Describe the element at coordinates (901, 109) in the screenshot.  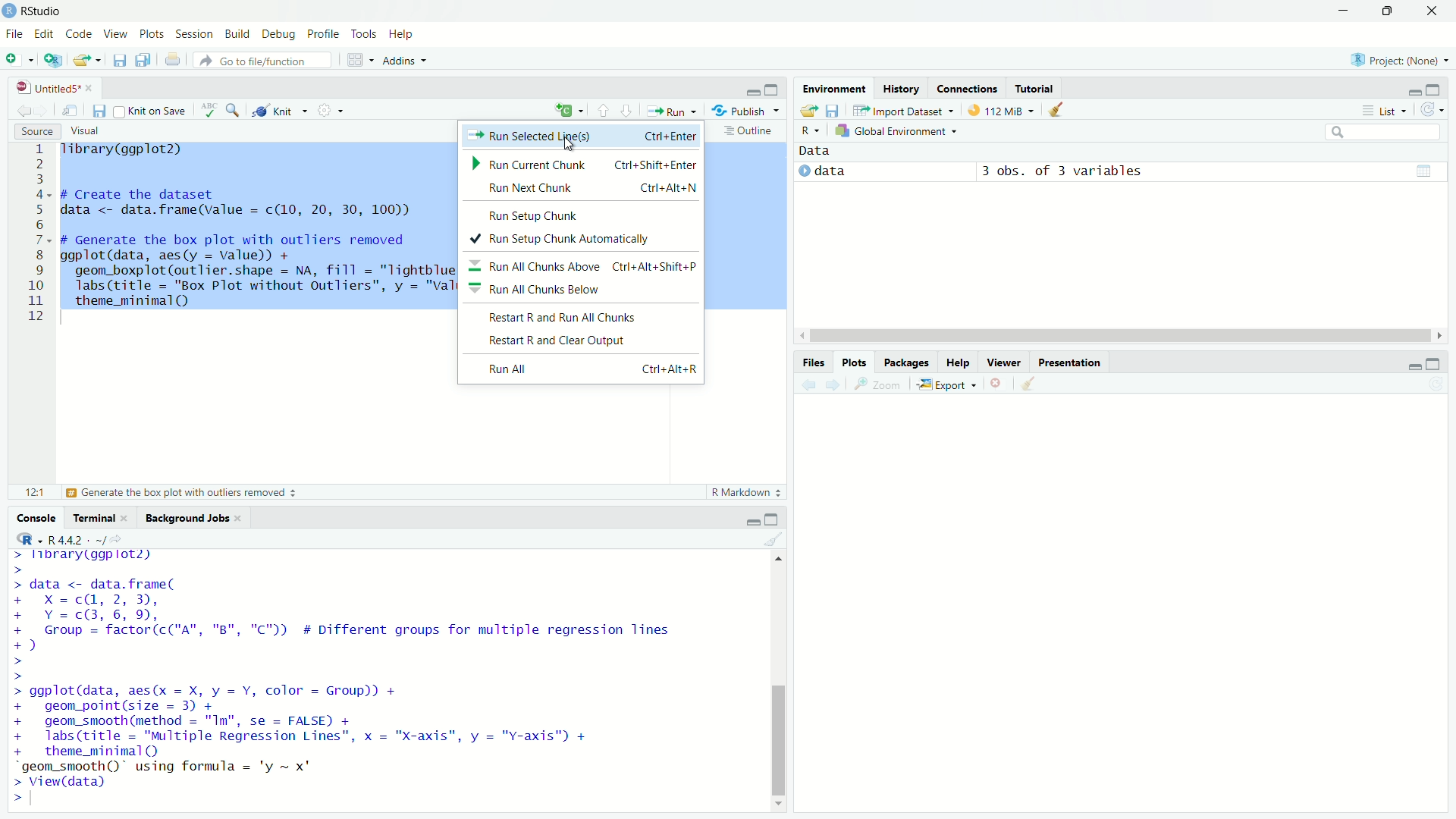
I see `import Dataset` at that location.